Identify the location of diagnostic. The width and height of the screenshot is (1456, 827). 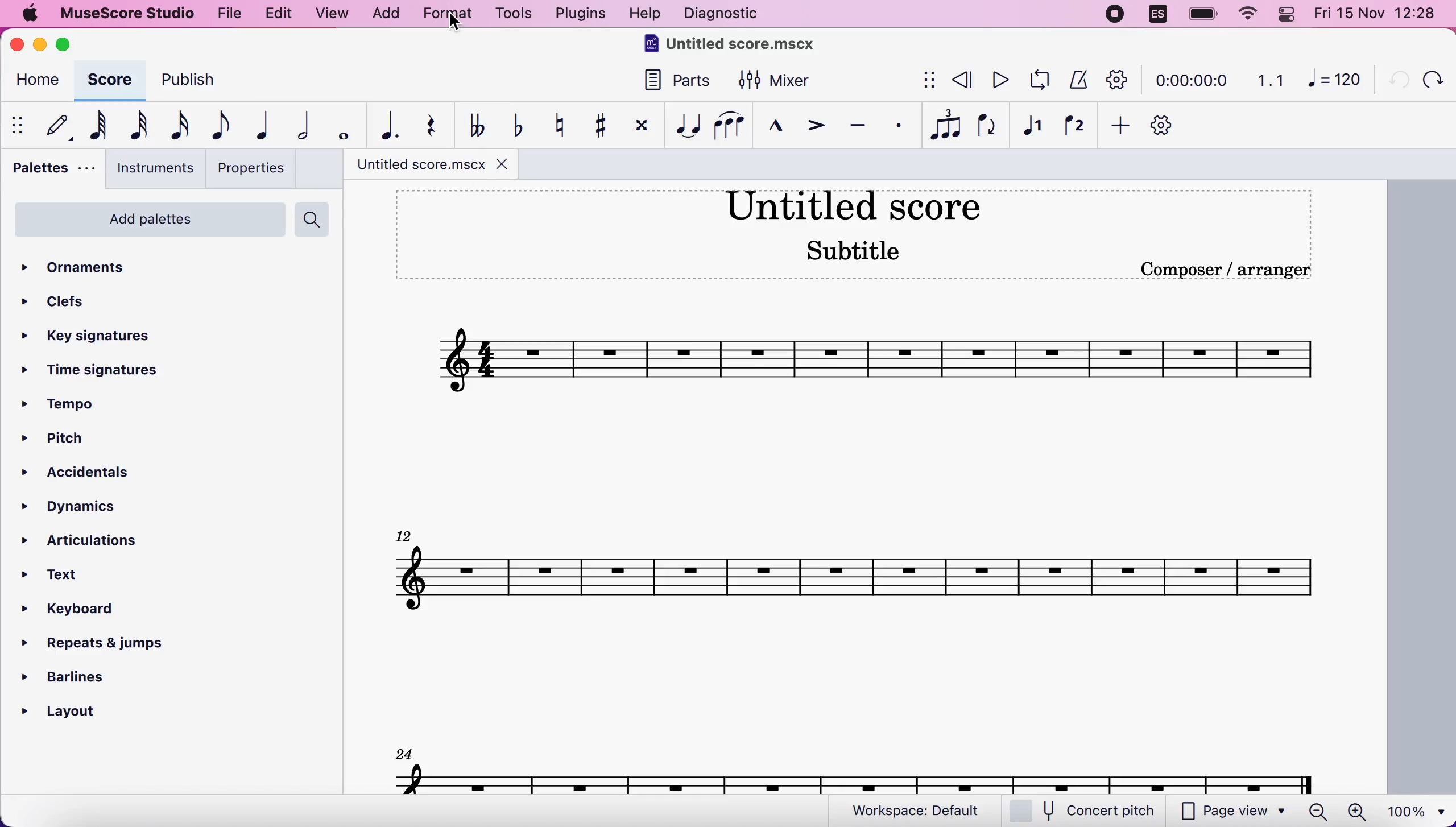
(725, 15).